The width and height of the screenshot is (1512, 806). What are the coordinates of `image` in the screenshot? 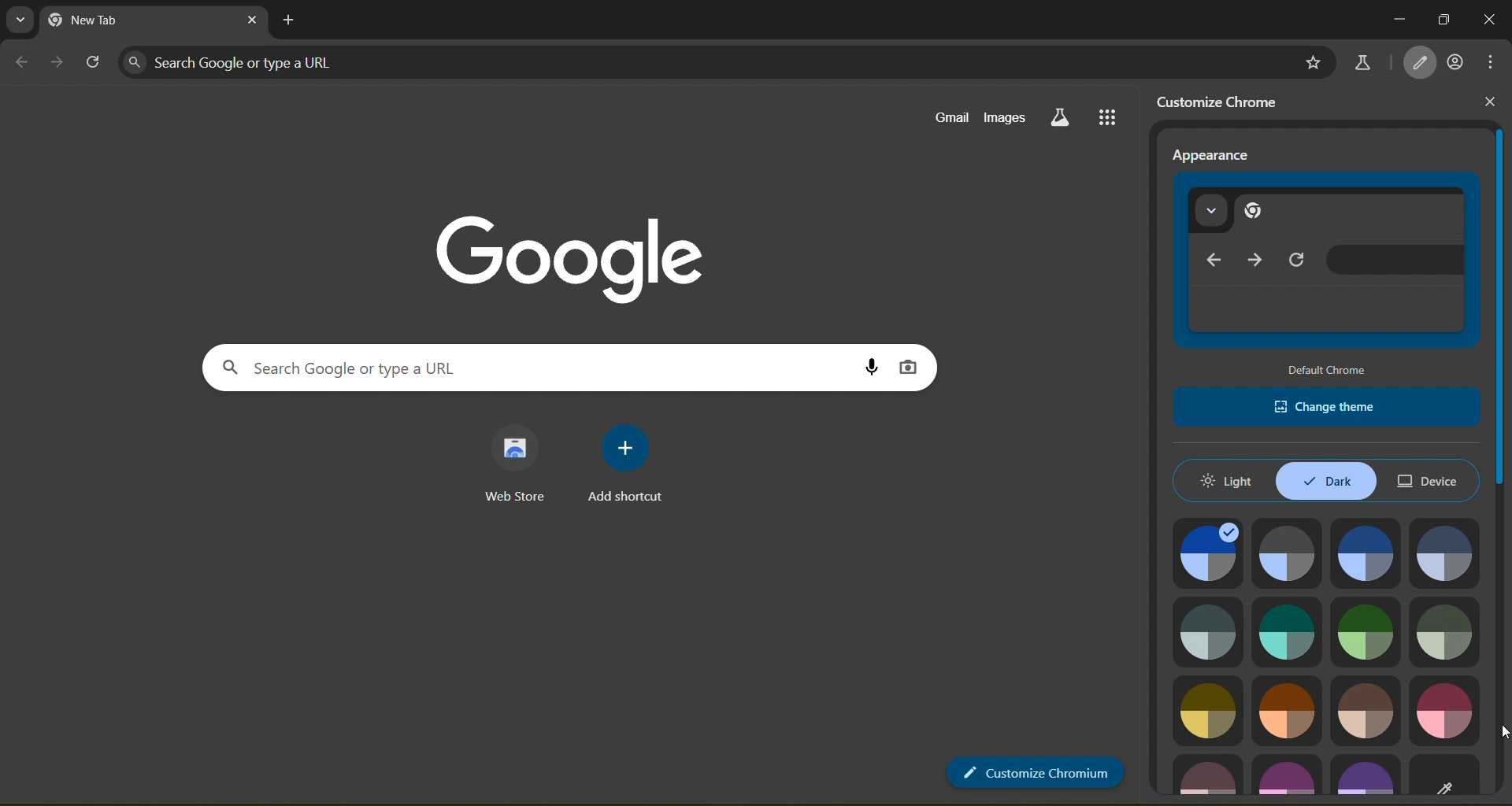 It's located at (1445, 775).